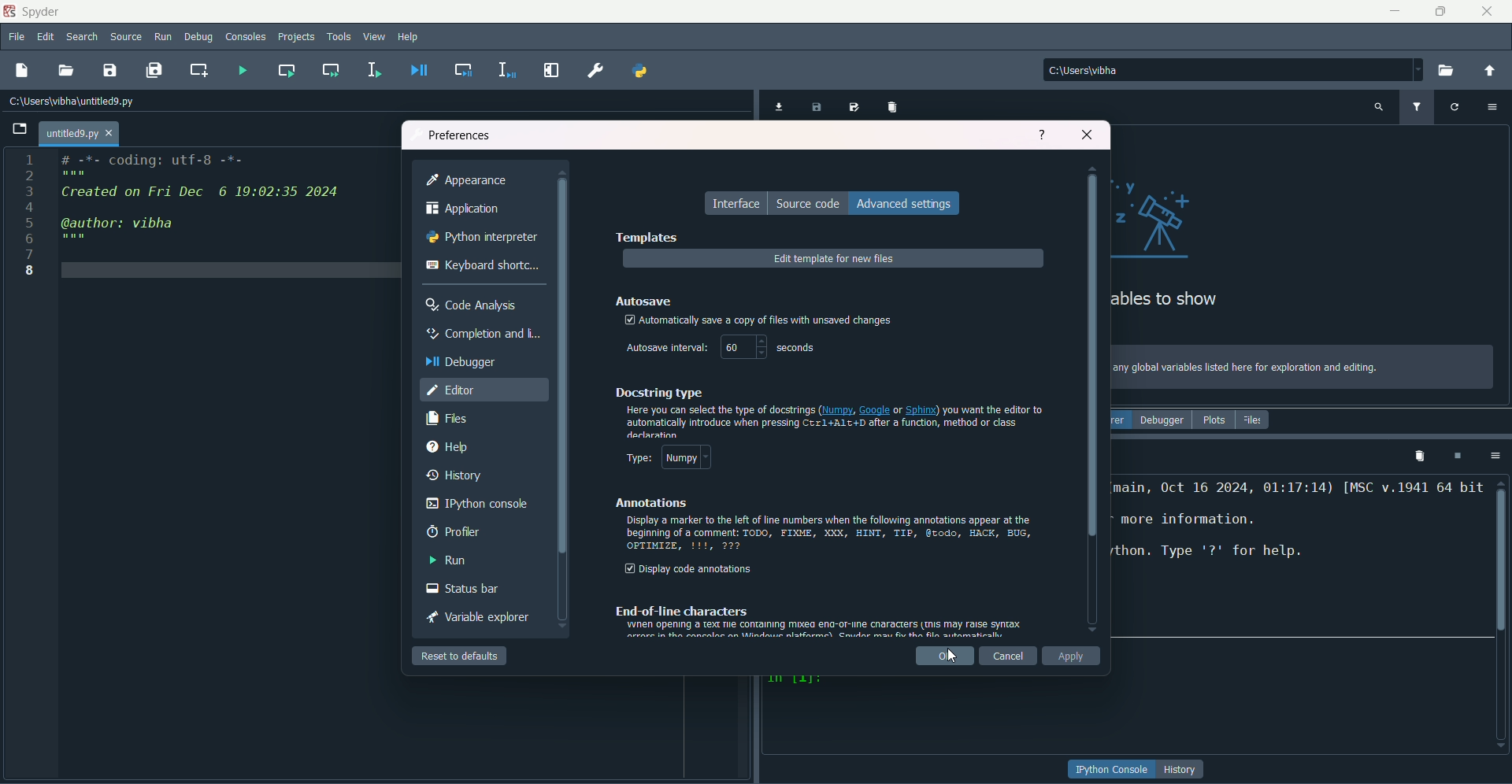  Describe the element at coordinates (1112, 69) in the screenshot. I see `file path` at that location.